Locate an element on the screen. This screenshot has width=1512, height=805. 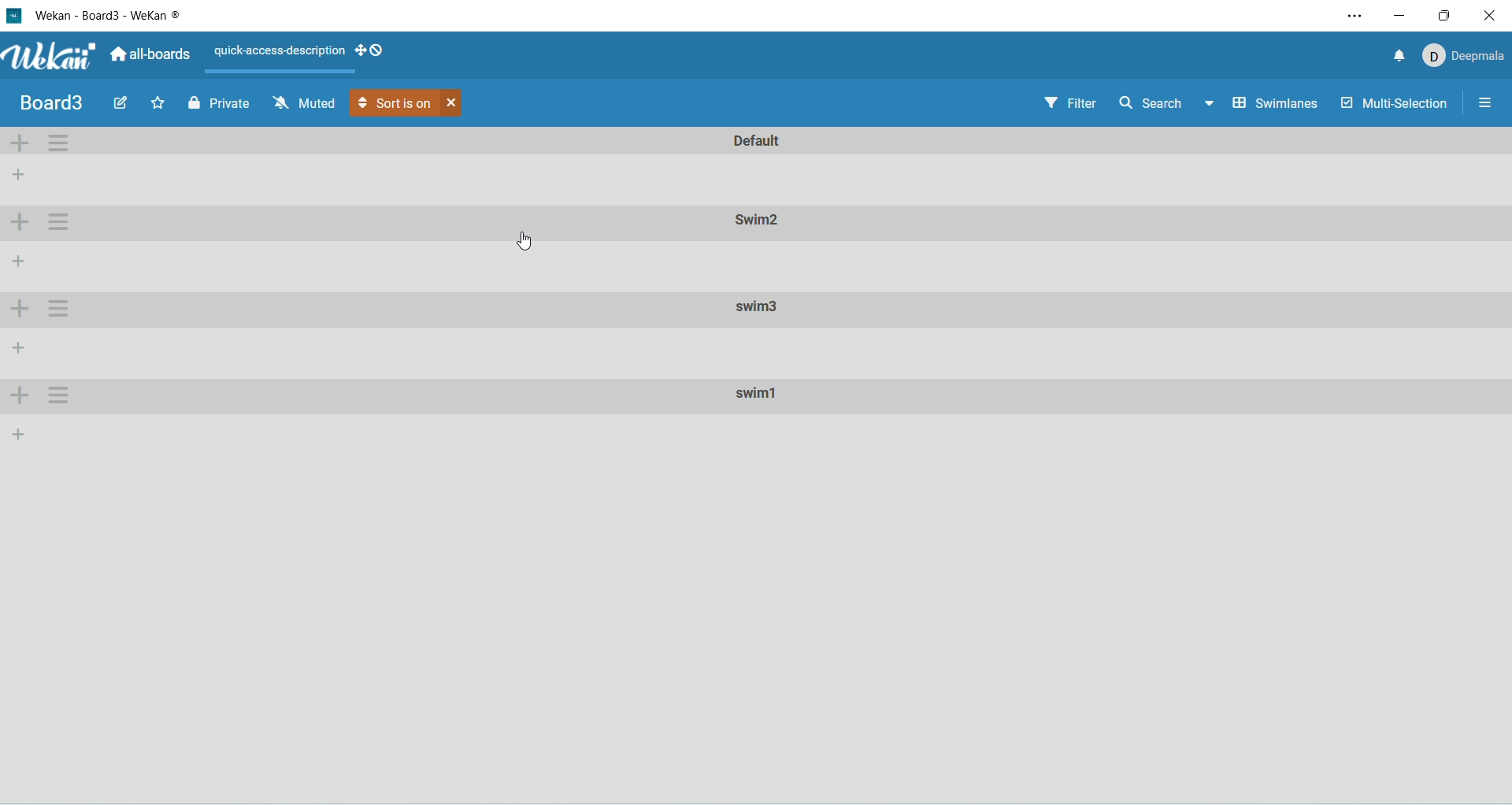
swimlane actions is located at coordinates (59, 309).